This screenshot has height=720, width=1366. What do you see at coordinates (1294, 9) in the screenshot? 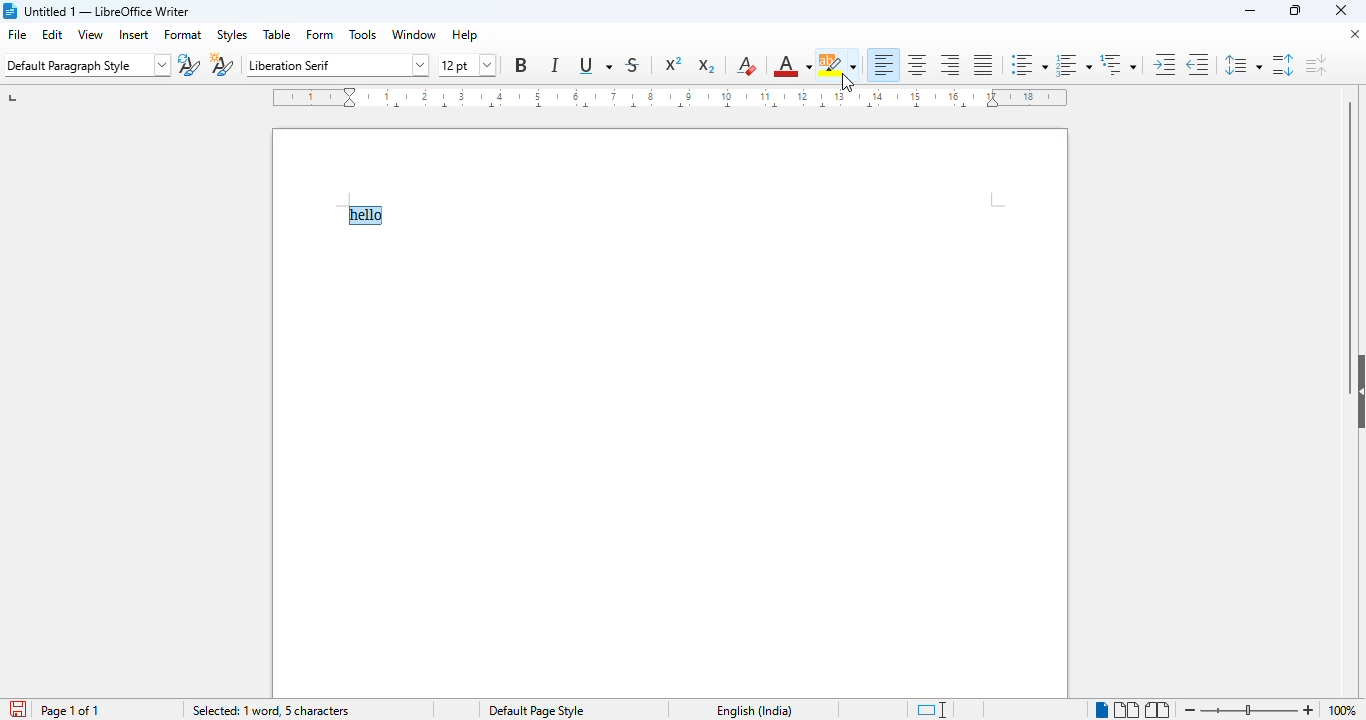
I see `maximize` at bounding box center [1294, 9].